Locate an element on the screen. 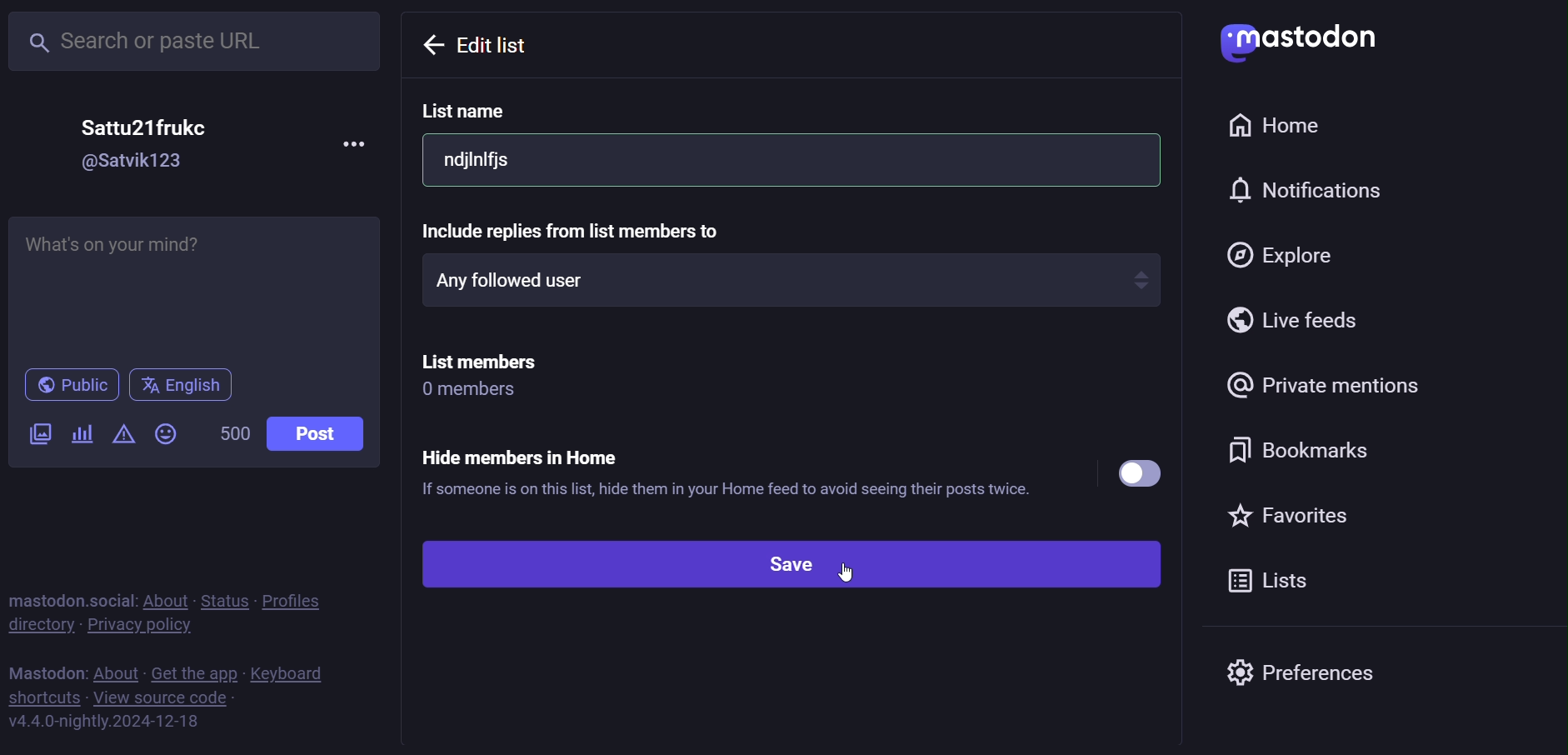  about is located at coordinates (165, 598).